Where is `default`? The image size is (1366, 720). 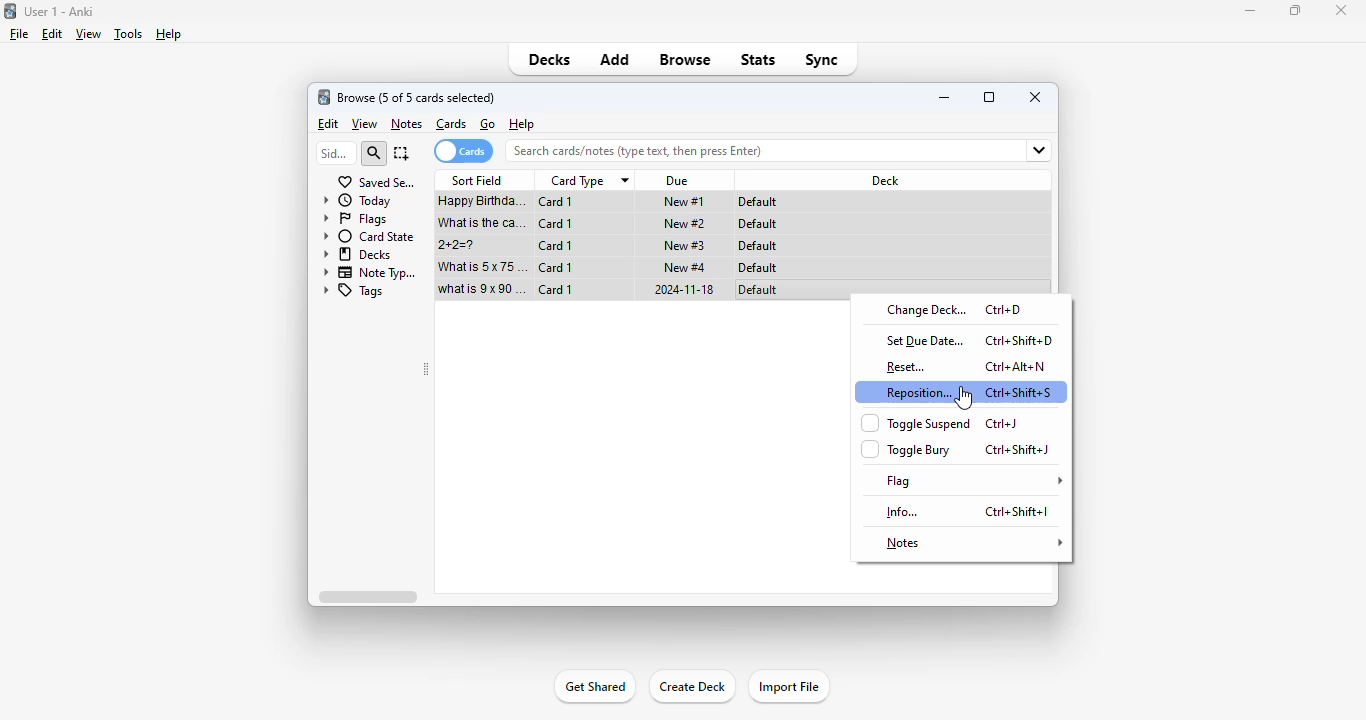
default is located at coordinates (760, 202).